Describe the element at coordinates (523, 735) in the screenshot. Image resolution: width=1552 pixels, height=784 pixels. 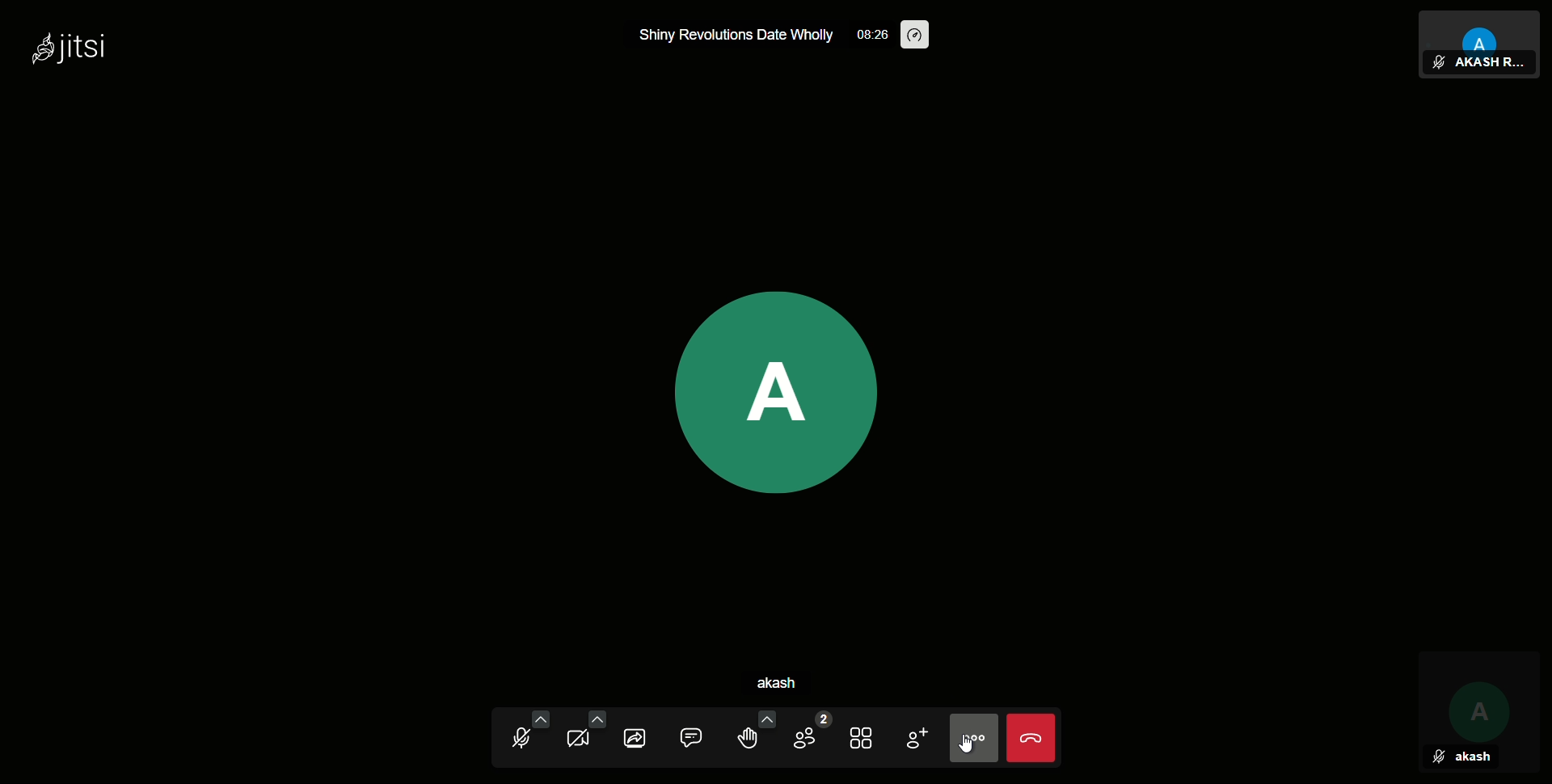
I see `mute` at that location.